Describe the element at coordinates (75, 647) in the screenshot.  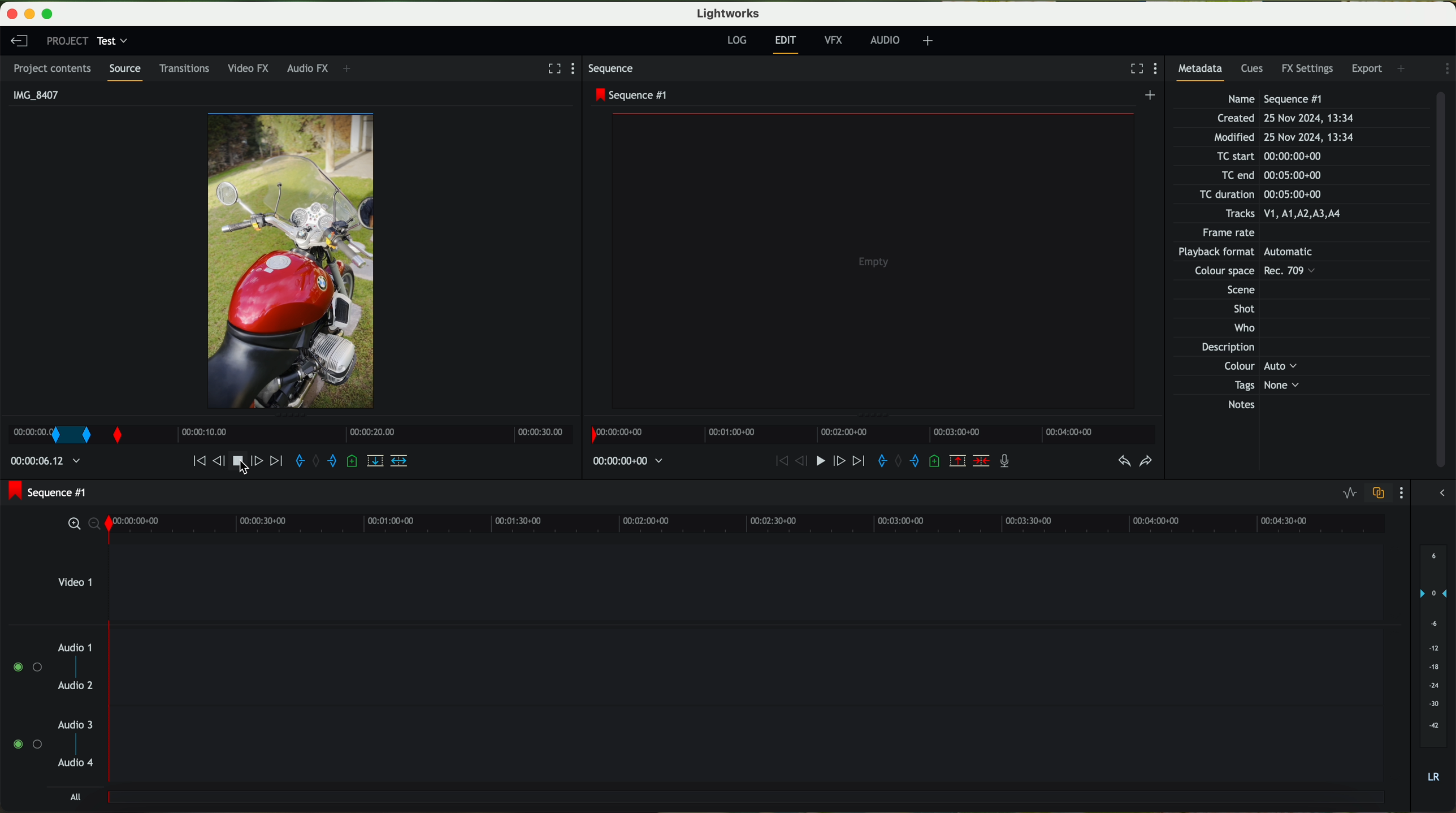
I see `audio 1` at that location.